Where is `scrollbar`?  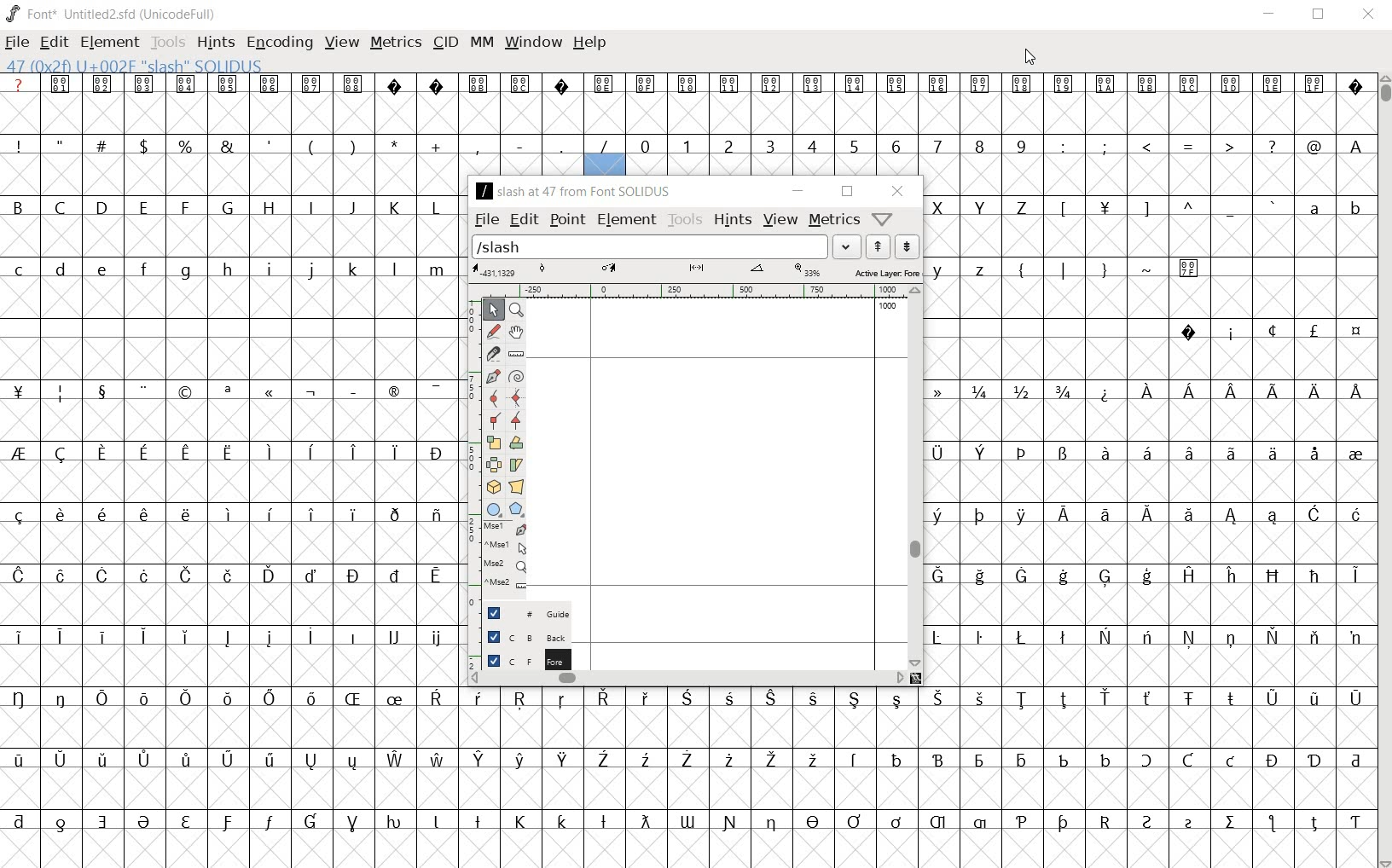
scrollbar is located at coordinates (915, 478).